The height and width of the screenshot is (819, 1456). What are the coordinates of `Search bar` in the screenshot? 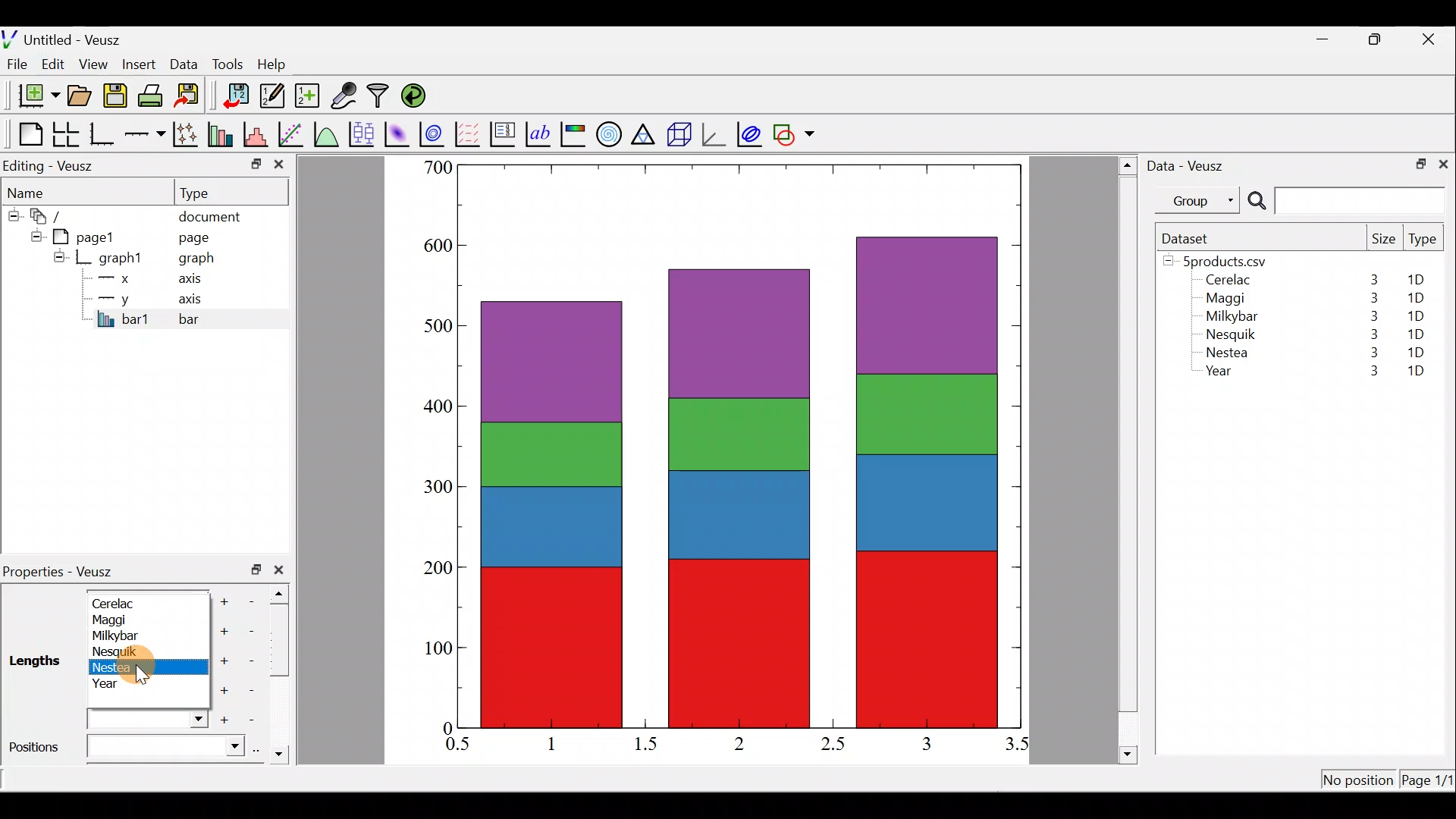 It's located at (1344, 201).